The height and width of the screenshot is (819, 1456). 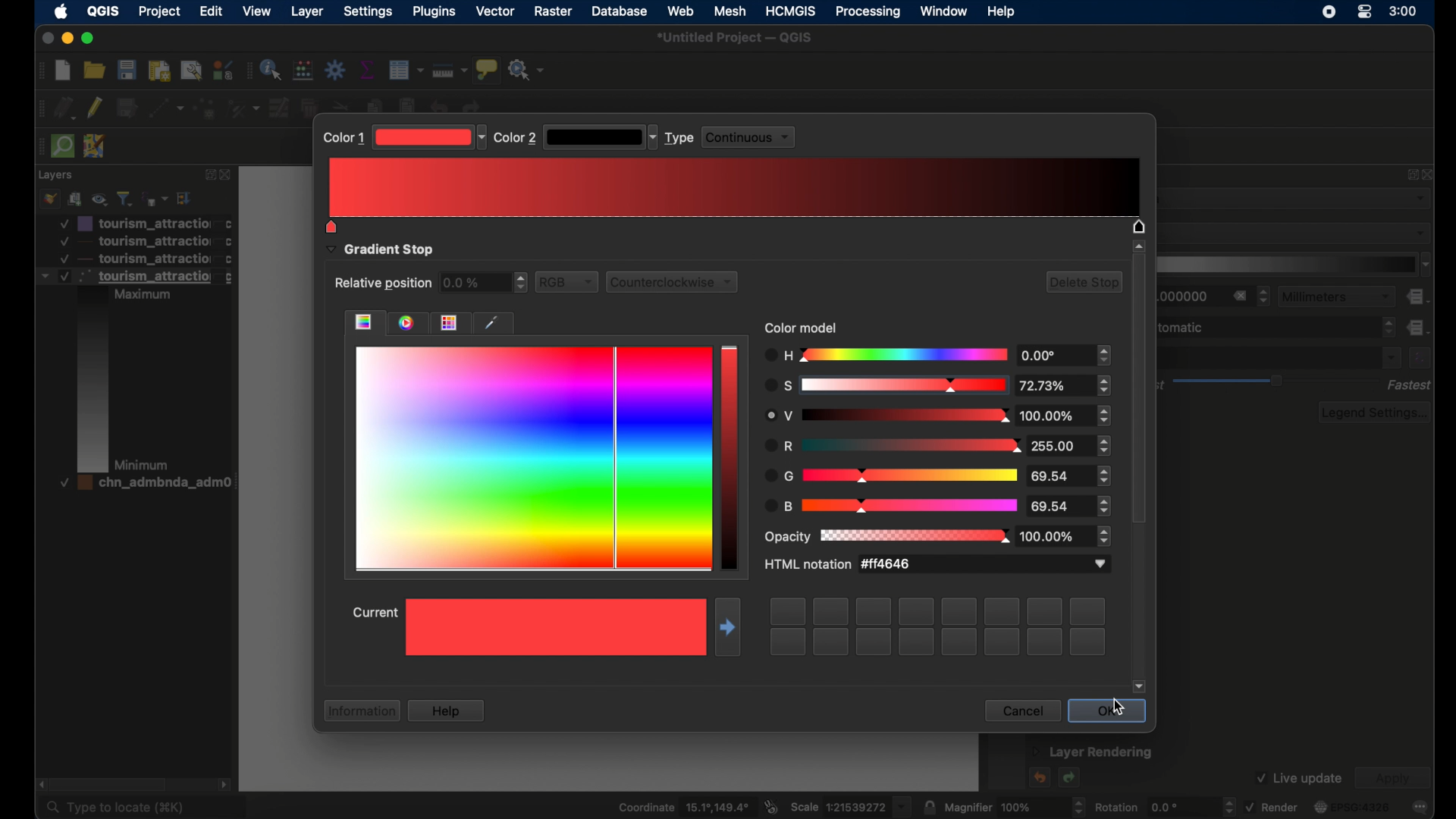 What do you see at coordinates (225, 783) in the screenshot?
I see `scroll right arrow` at bounding box center [225, 783].